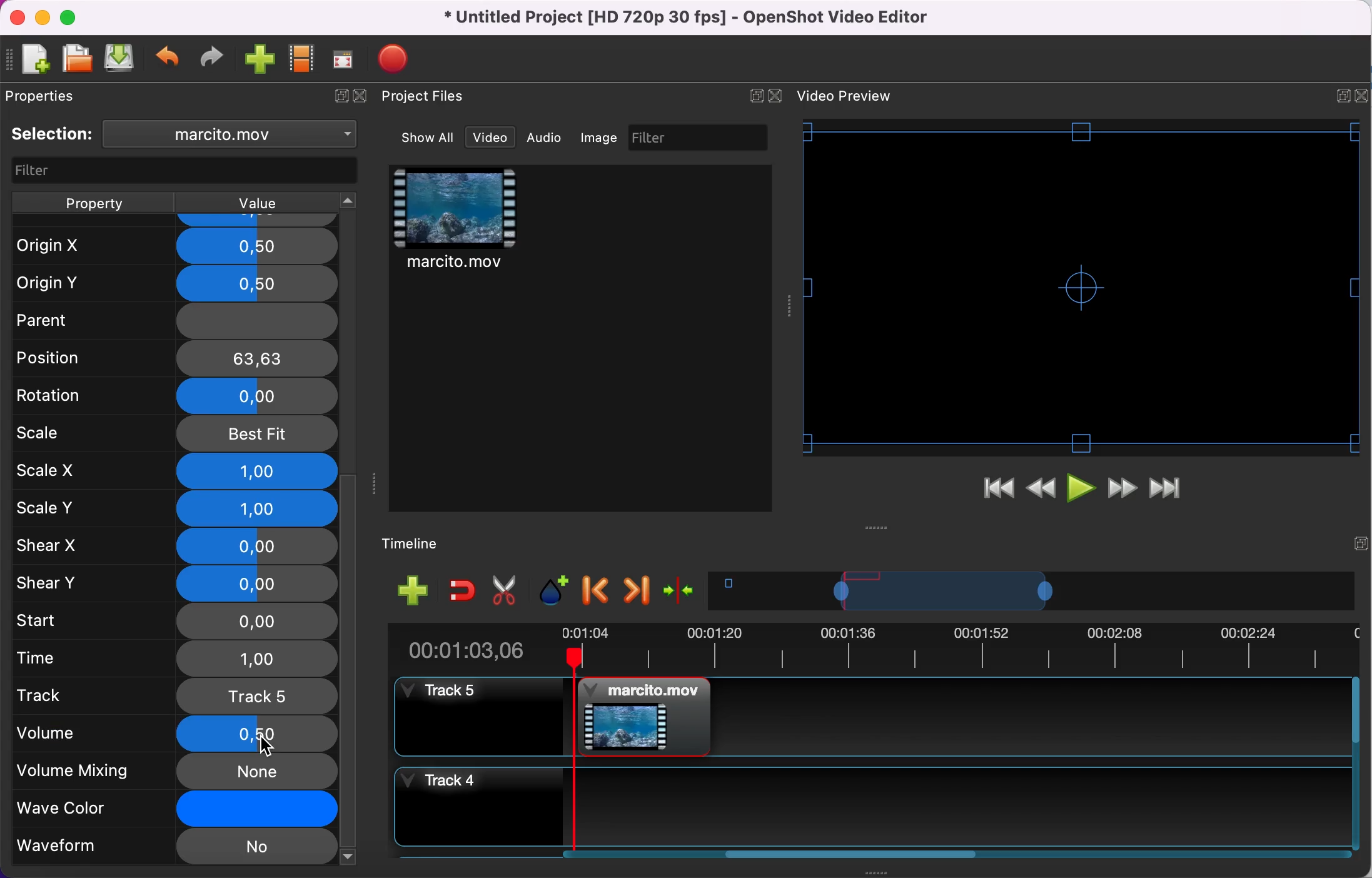 This screenshot has width=1372, height=878. Describe the element at coordinates (174, 848) in the screenshot. I see `wave form no` at that location.